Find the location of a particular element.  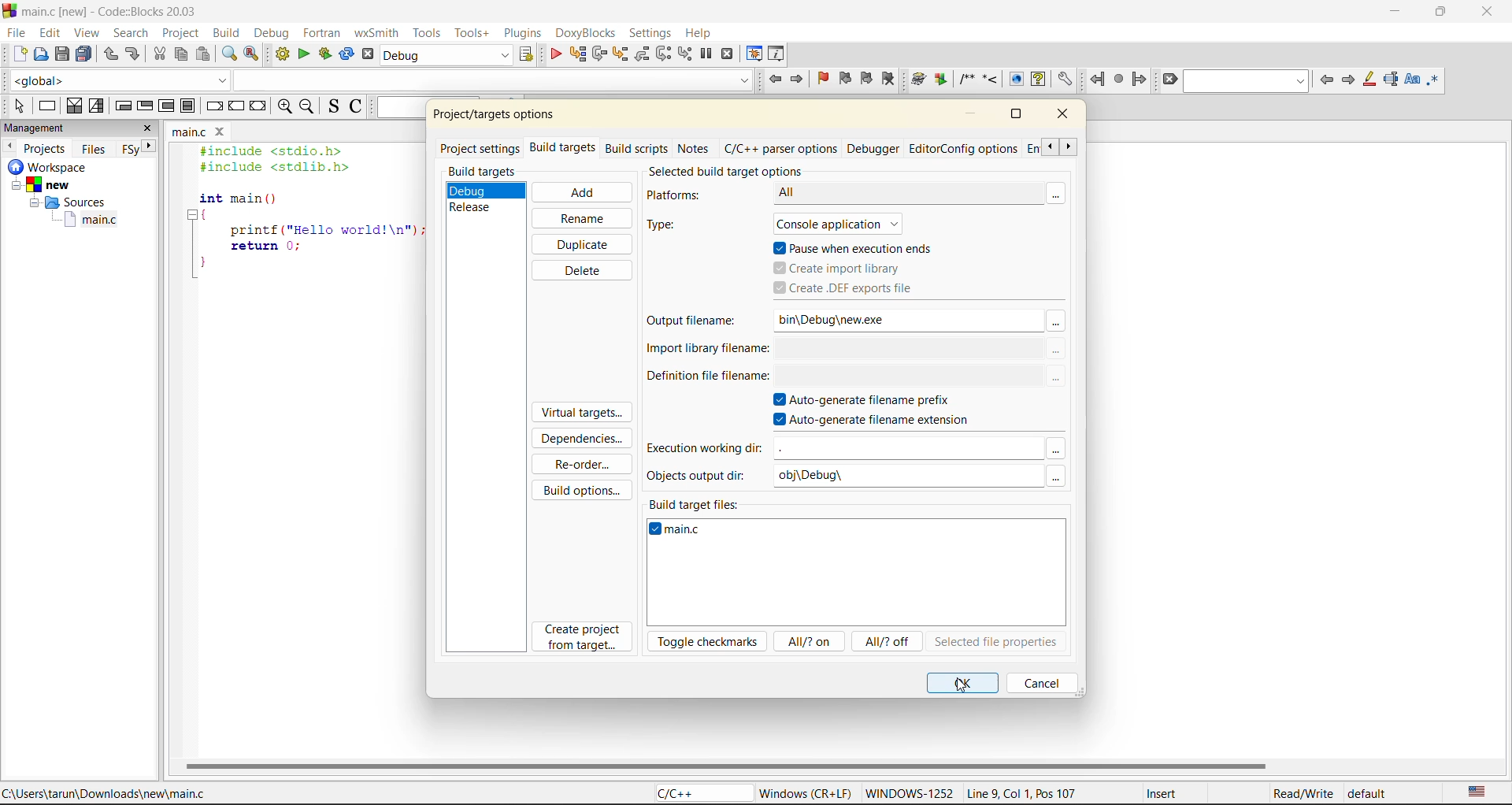

file name is located at coordinates (680, 532).